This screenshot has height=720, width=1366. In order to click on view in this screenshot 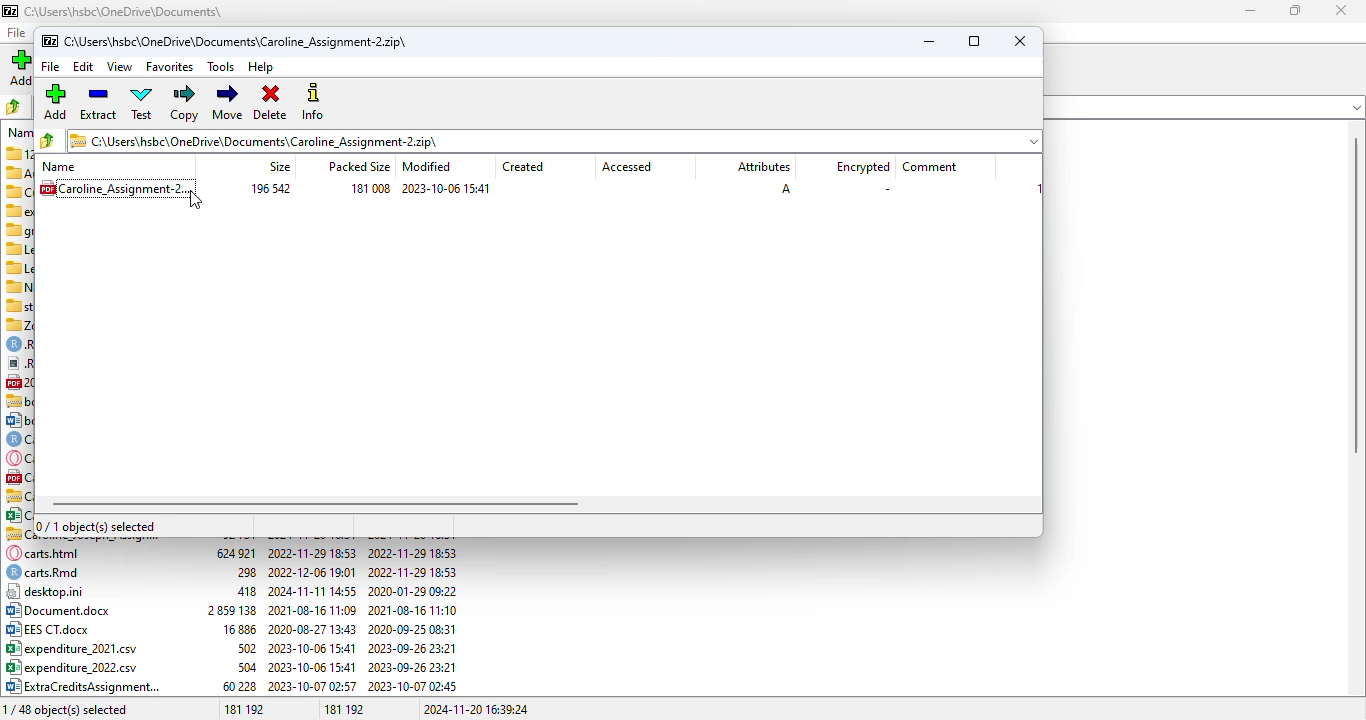, I will do `click(120, 67)`.